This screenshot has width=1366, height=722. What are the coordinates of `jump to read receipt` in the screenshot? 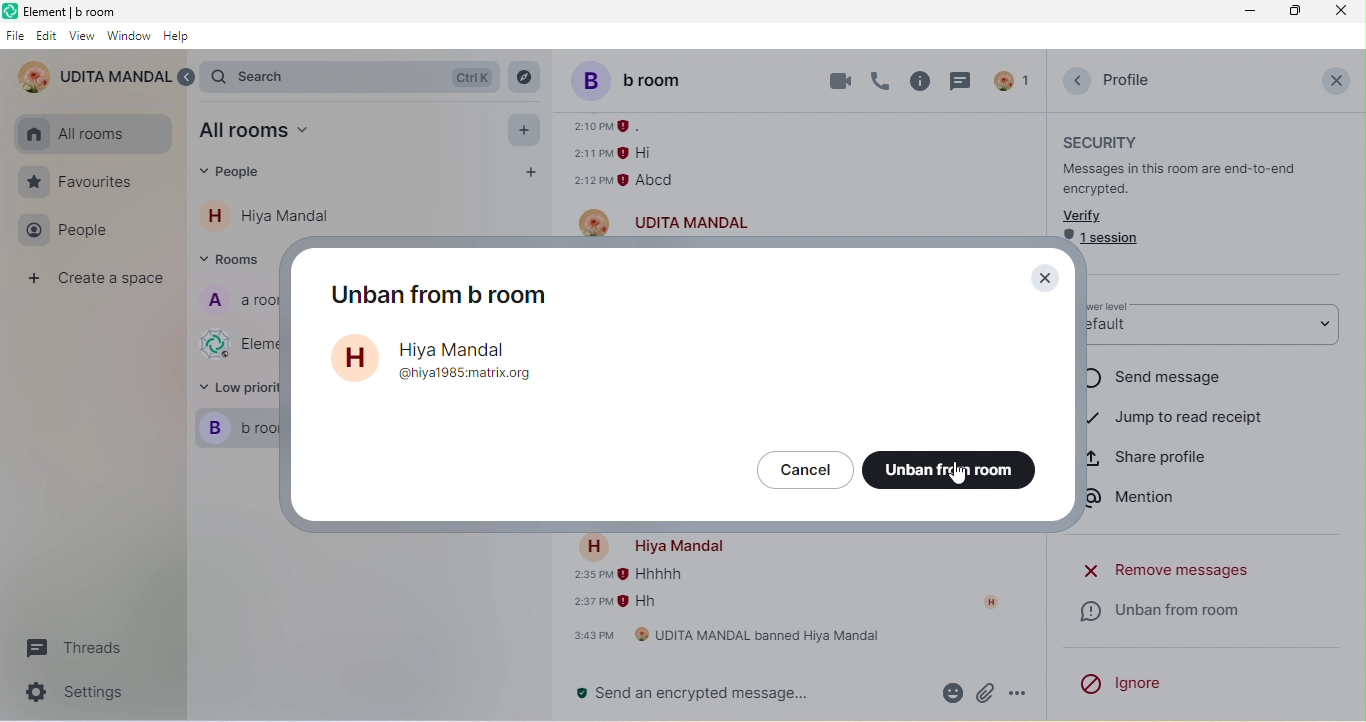 It's located at (1176, 412).